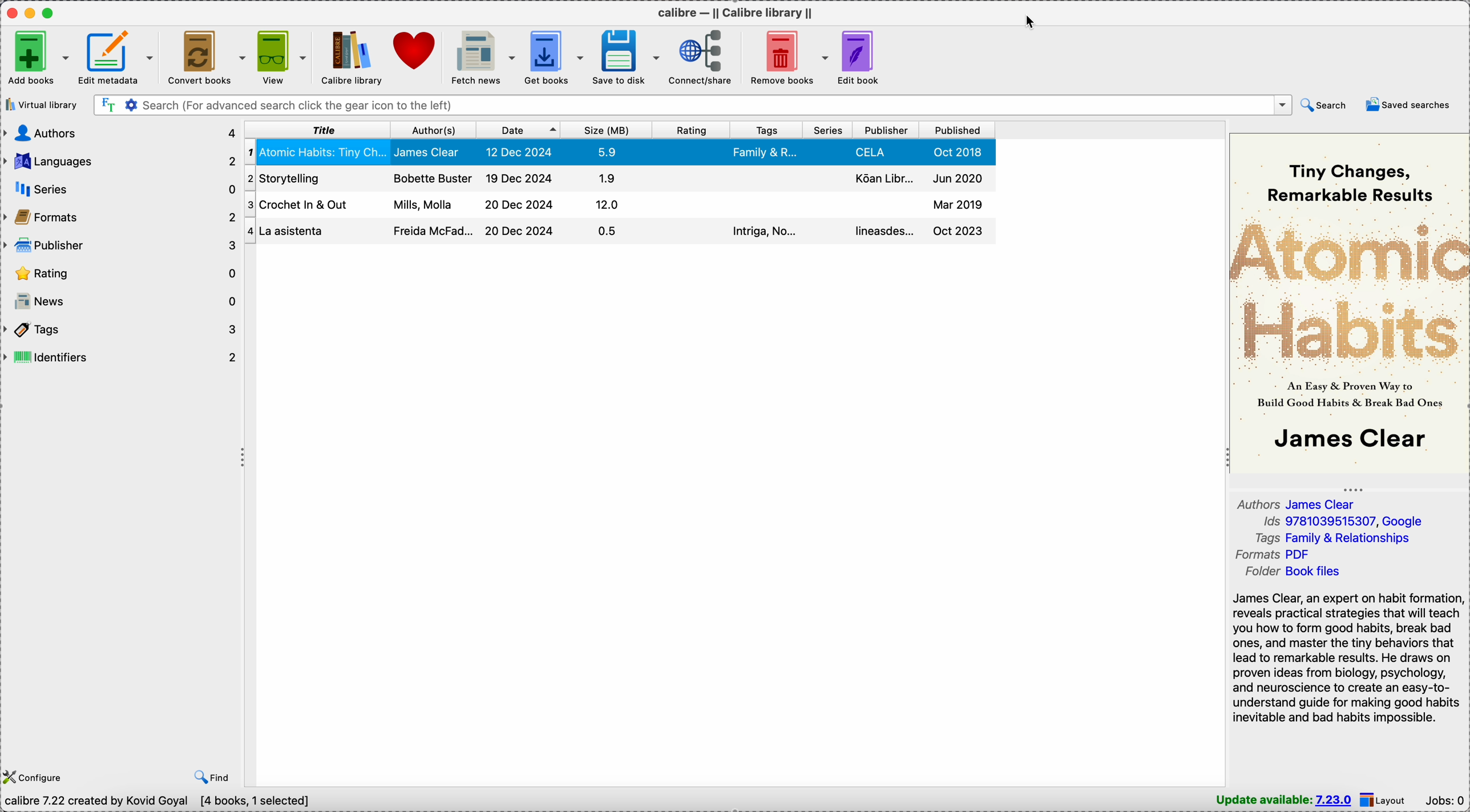  I want to click on date, so click(519, 131).